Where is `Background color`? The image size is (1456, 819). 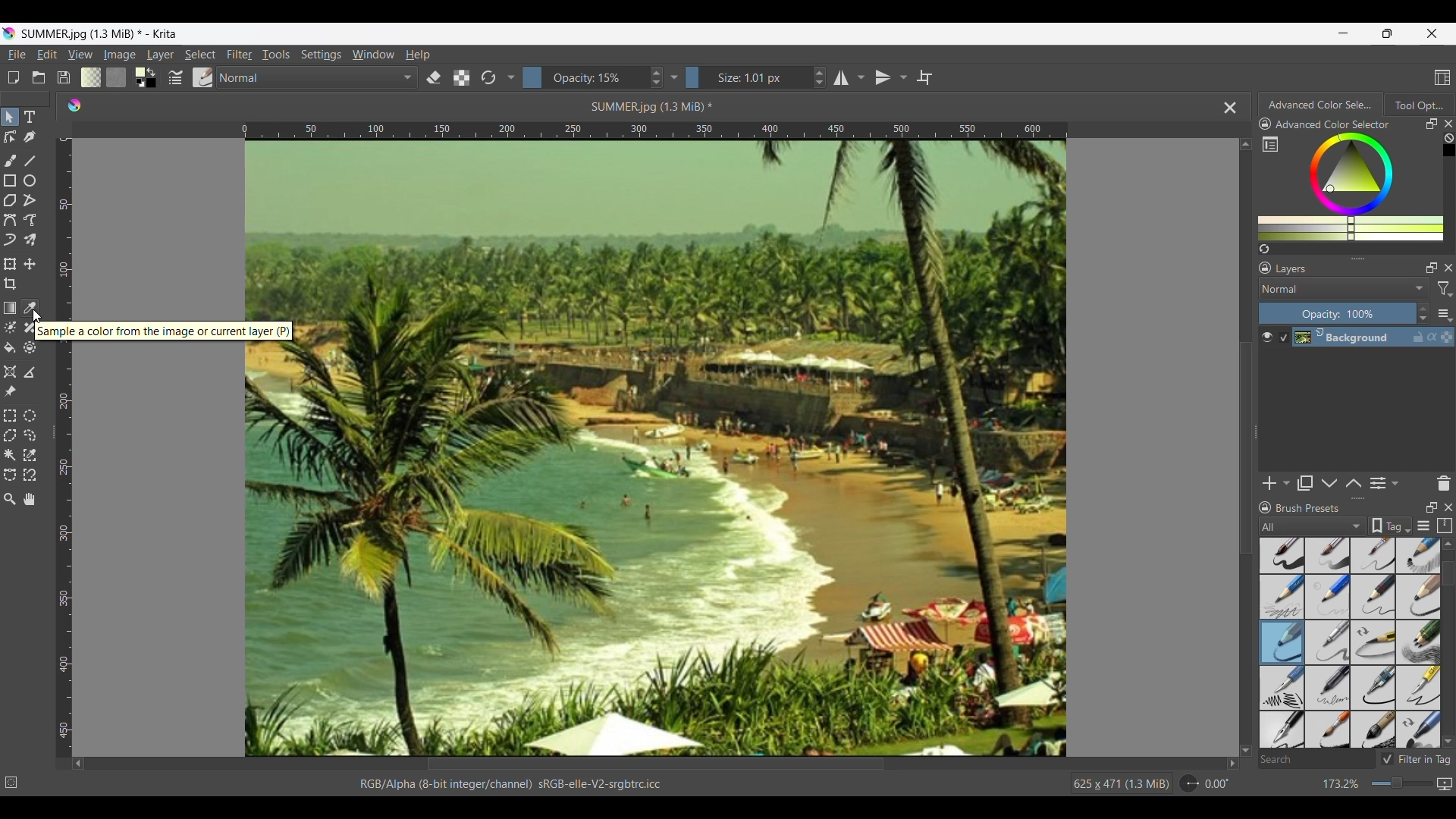
Background color is located at coordinates (154, 84).